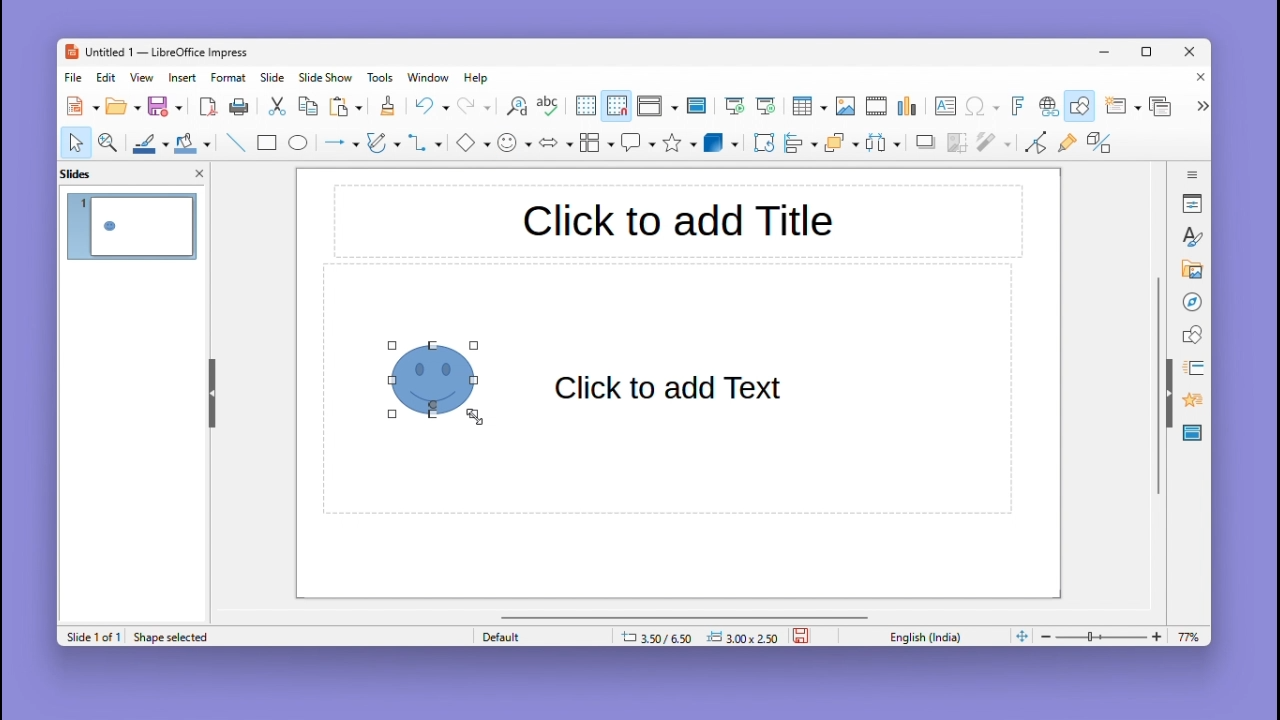 Image resolution: width=1280 pixels, height=720 pixels. What do you see at coordinates (762, 142) in the screenshot?
I see `Rotate` at bounding box center [762, 142].